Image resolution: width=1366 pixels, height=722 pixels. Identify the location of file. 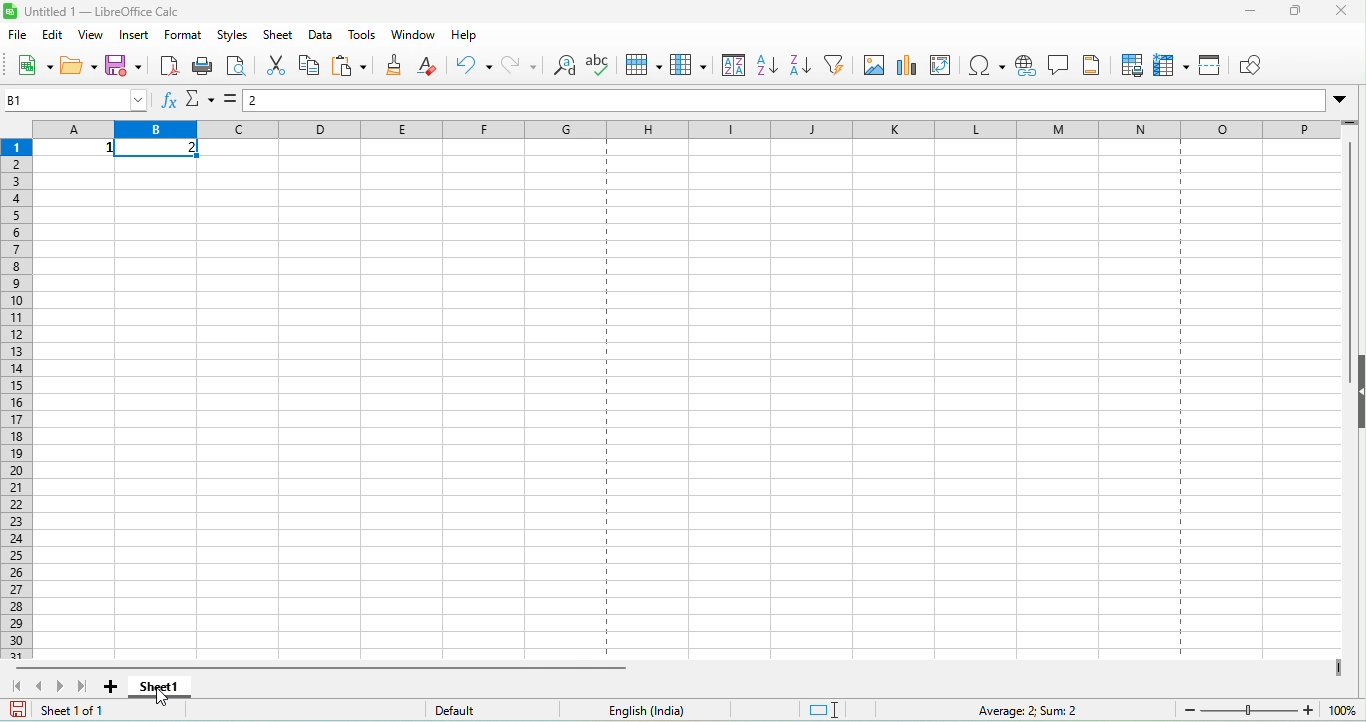
(18, 35).